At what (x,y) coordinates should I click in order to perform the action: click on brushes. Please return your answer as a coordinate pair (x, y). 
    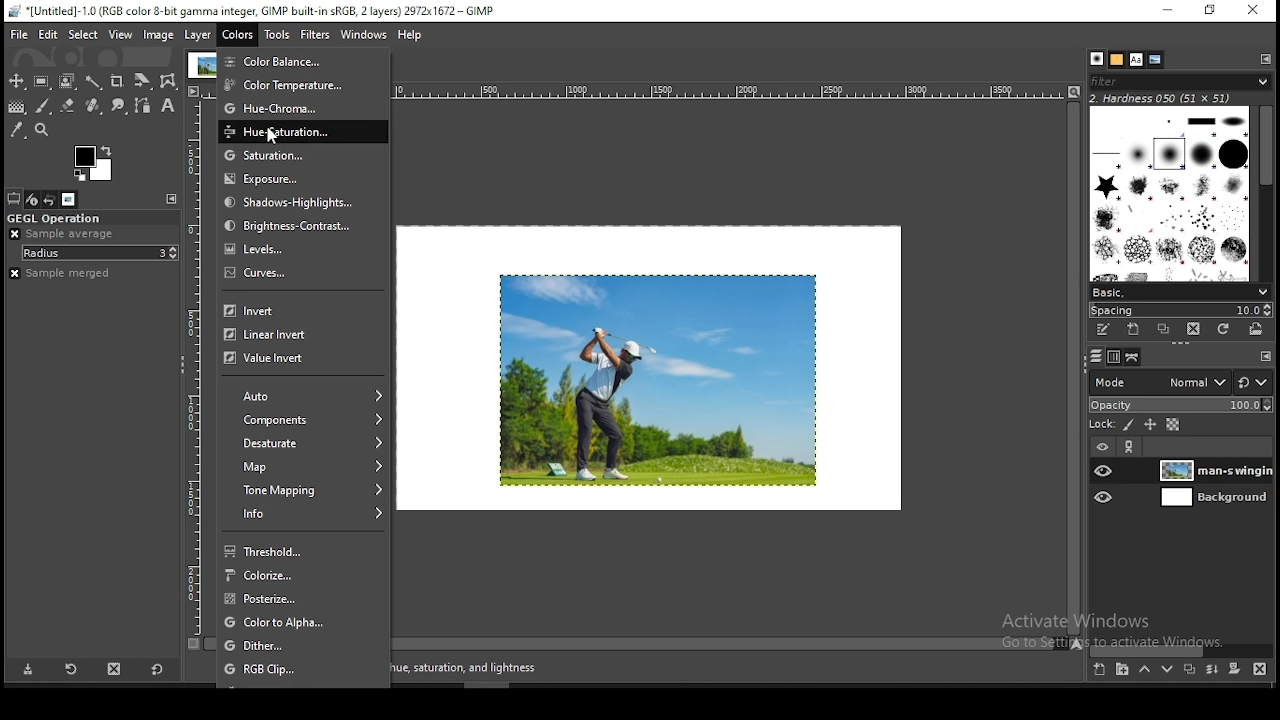
    Looking at the image, I should click on (1095, 58).